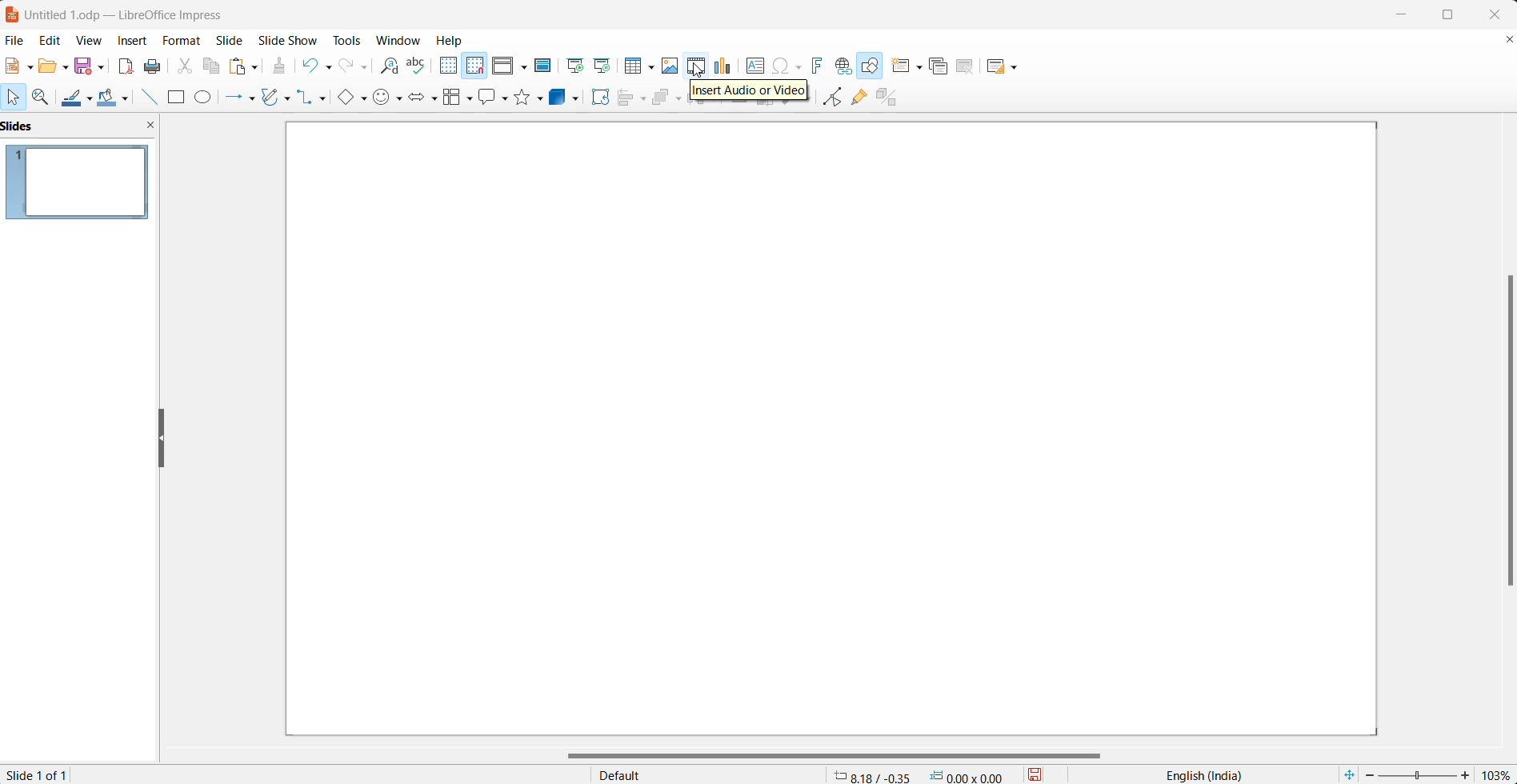 Image resolution: width=1517 pixels, height=784 pixels. I want to click on curve and polygons options dropdown button, so click(289, 98).